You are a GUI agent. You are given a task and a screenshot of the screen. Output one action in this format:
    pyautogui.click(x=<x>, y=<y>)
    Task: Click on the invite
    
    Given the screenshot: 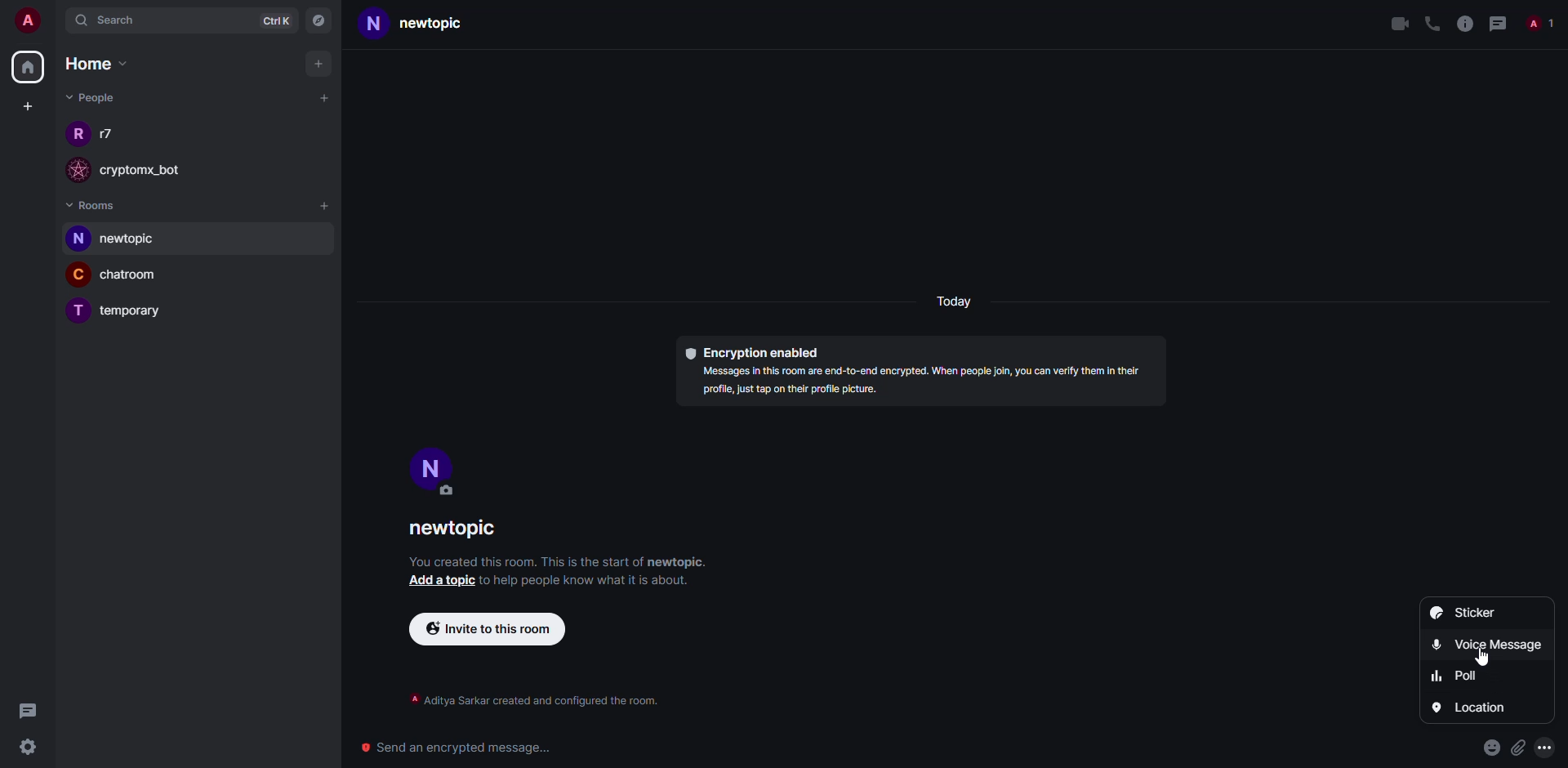 What is the action you would take?
    pyautogui.click(x=491, y=627)
    